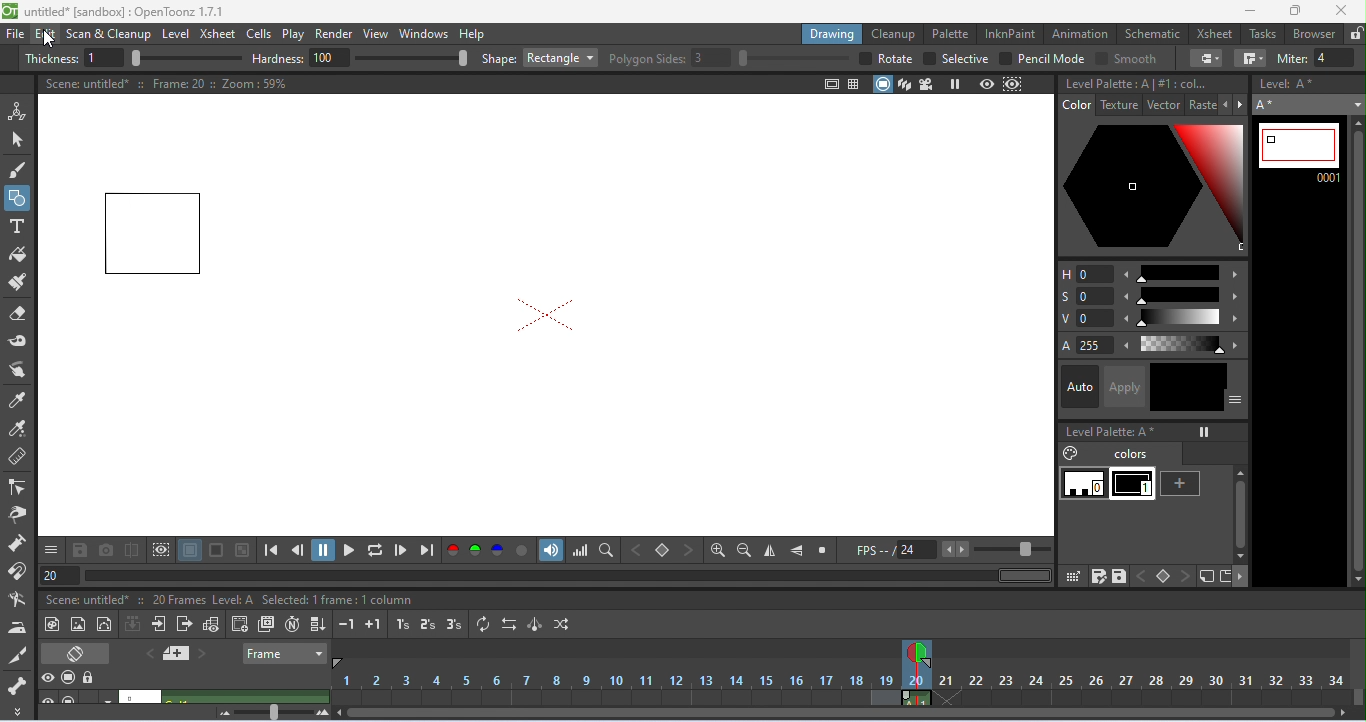  I want to click on tasks, so click(1264, 35).